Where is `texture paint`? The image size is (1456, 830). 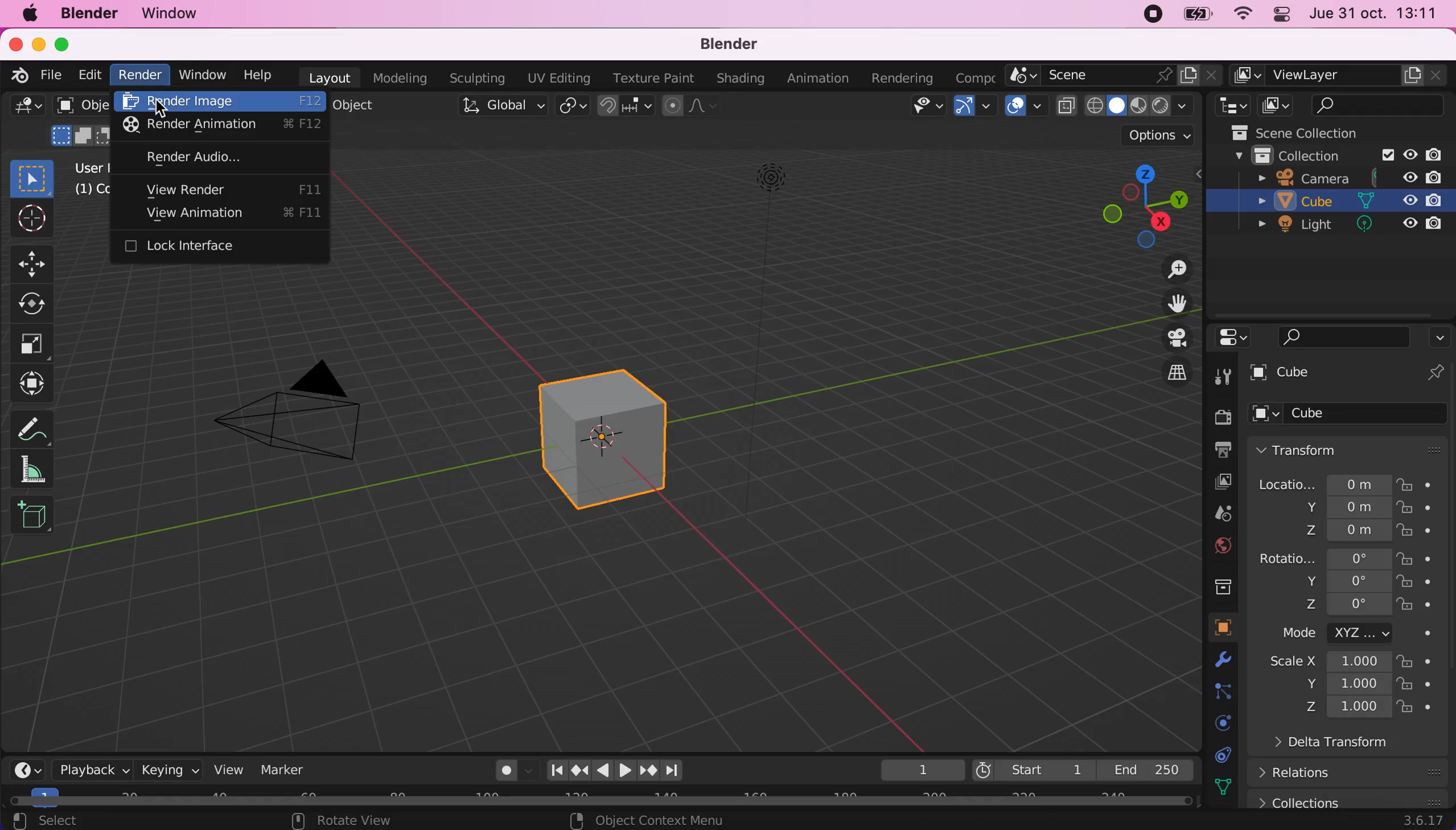 texture paint is located at coordinates (654, 79).